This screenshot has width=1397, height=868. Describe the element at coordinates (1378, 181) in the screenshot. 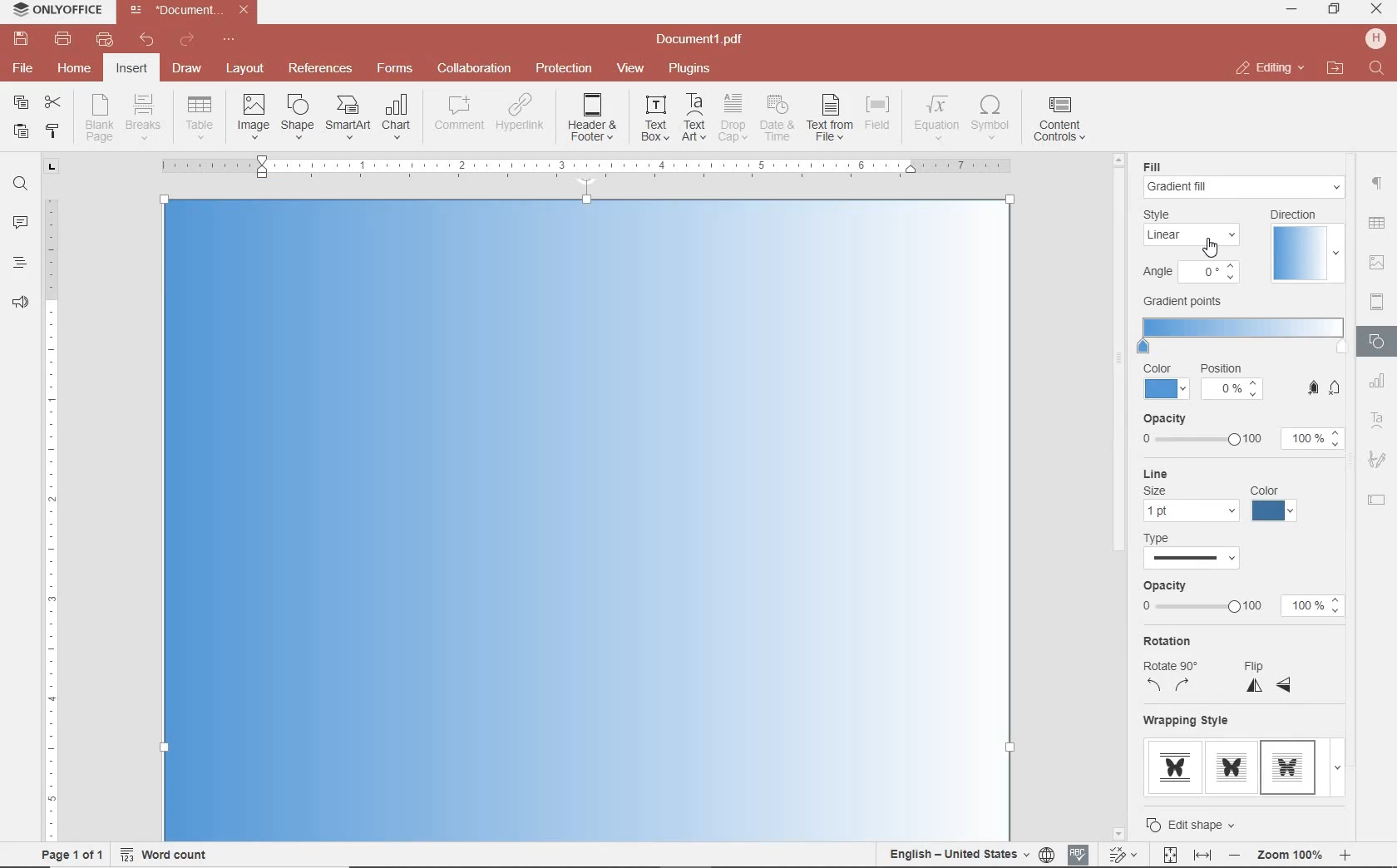

I see `paragraph setting` at that location.